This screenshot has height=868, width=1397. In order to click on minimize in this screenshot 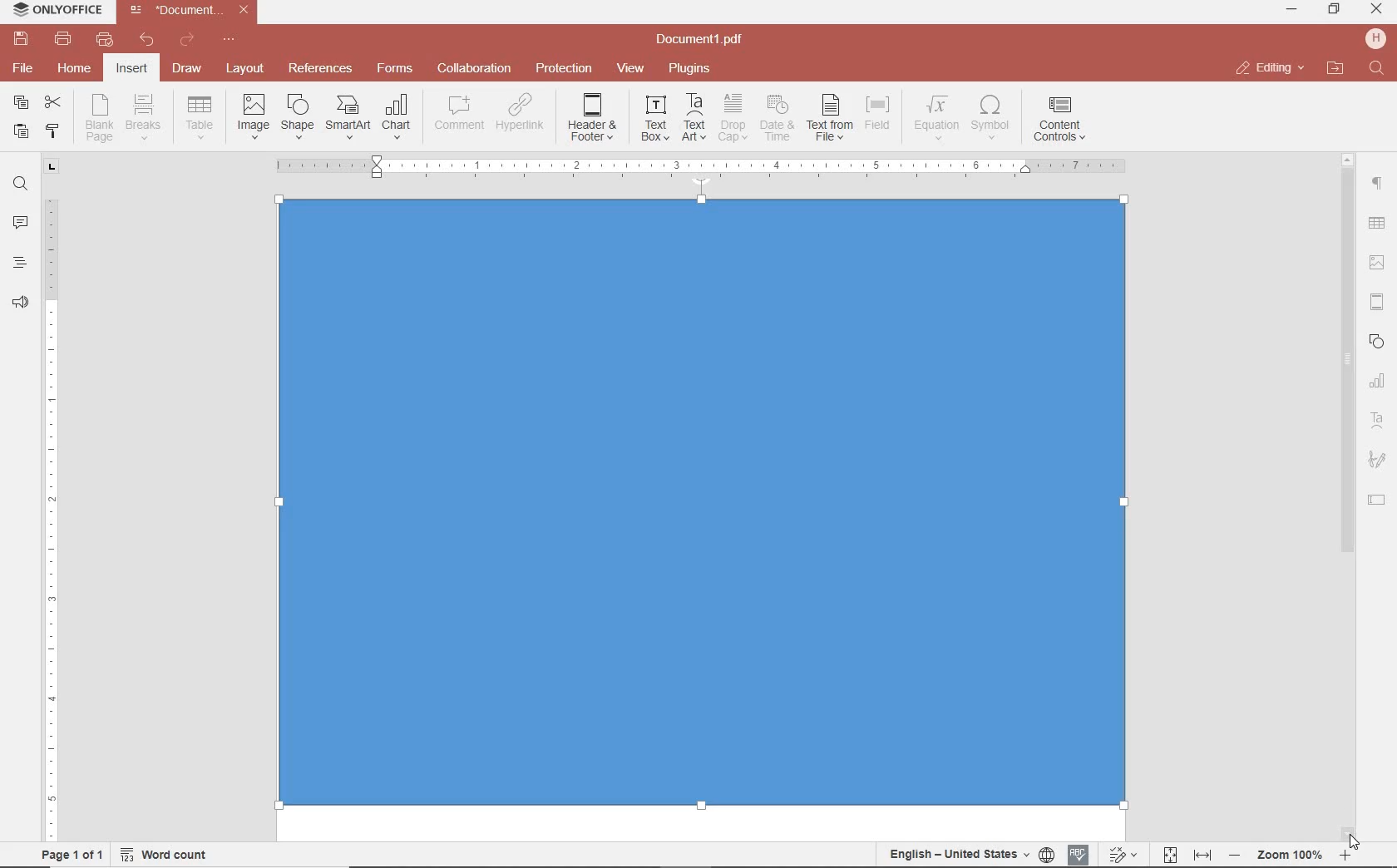, I will do `click(1293, 9)`.